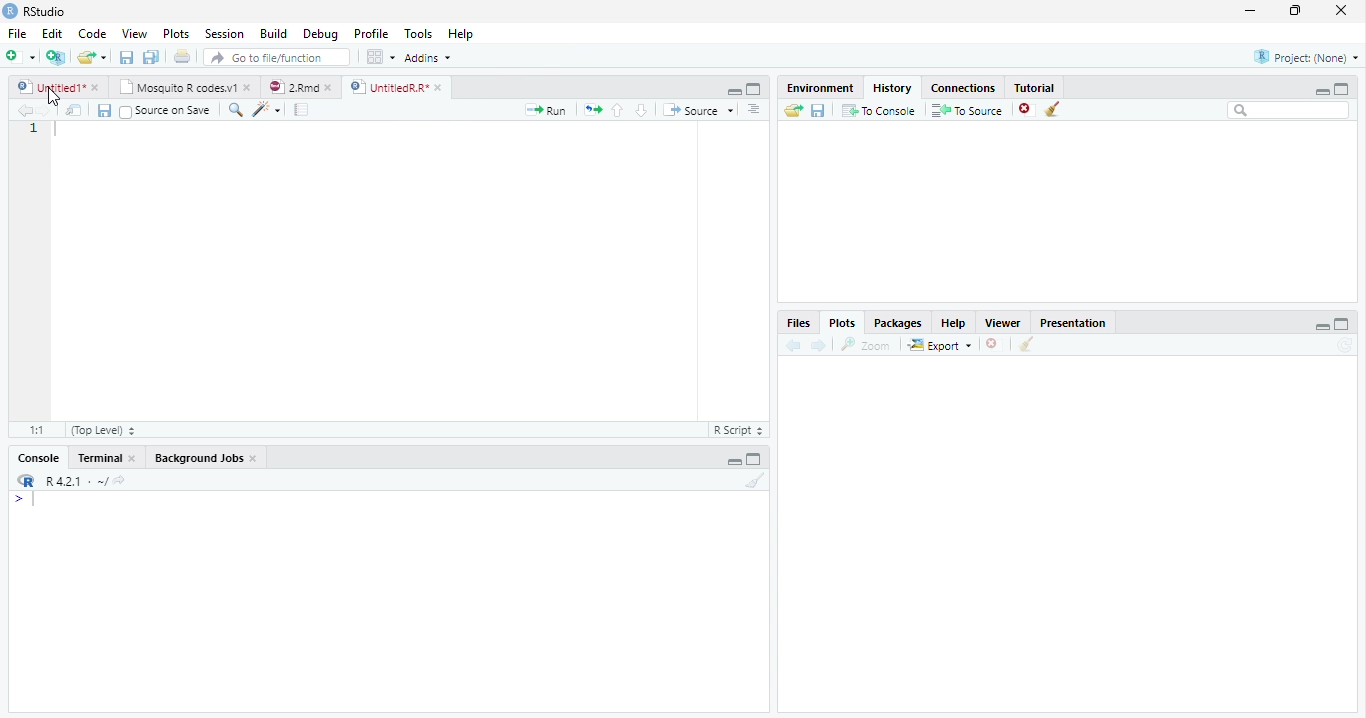  Describe the element at coordinates (818, 110) in the screenshot. I see `save` at that location.